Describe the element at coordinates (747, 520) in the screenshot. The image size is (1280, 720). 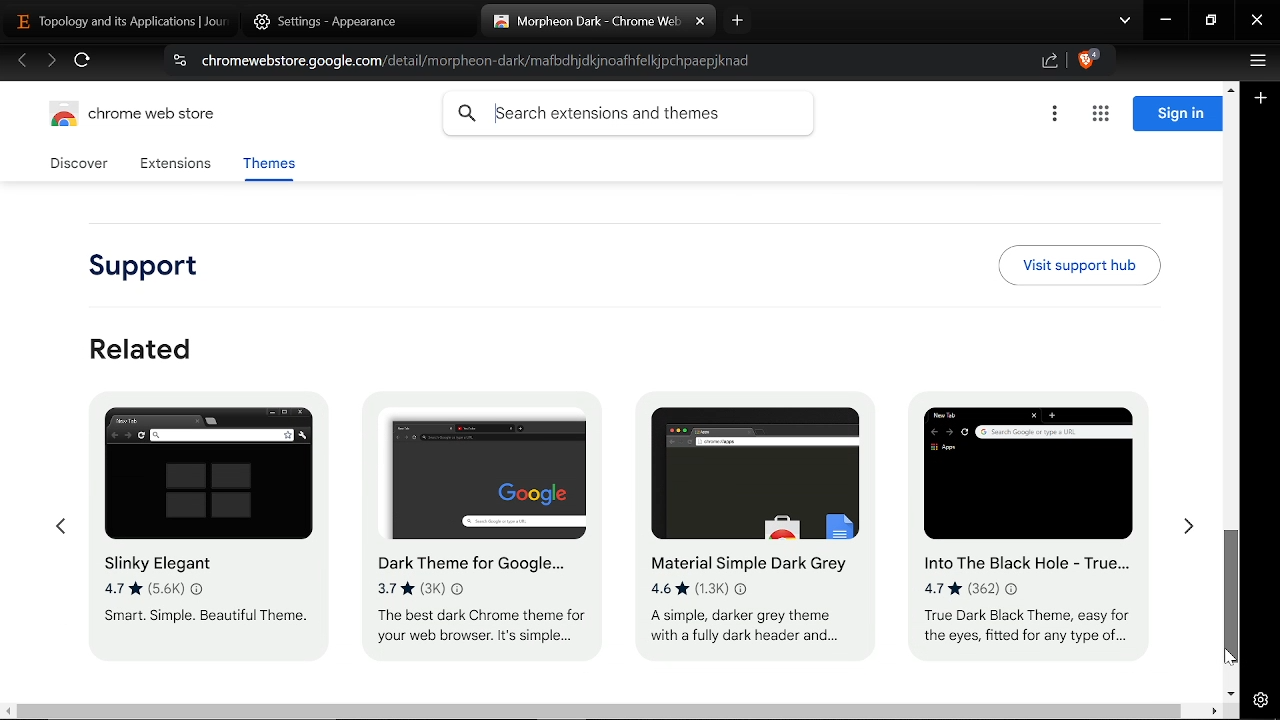
I see `Material Simple Dark Grey theme` at that location.